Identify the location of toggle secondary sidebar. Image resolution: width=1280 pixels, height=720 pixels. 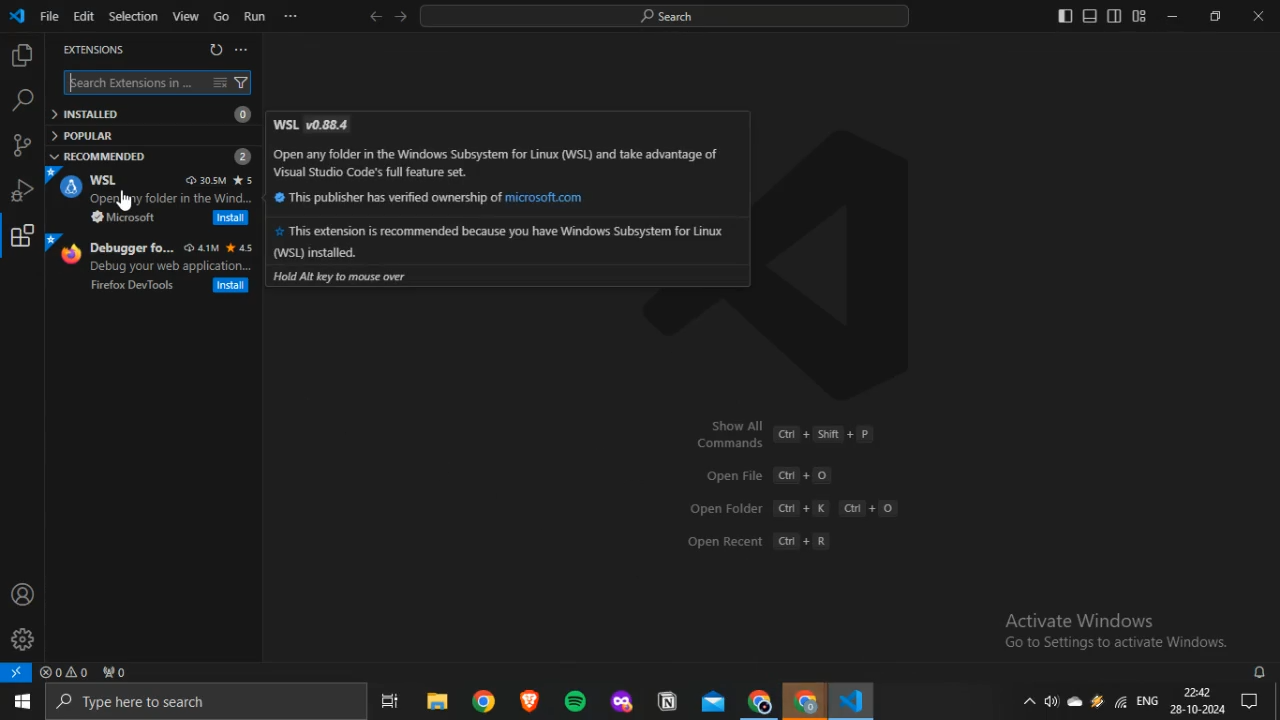
(1115, 15).